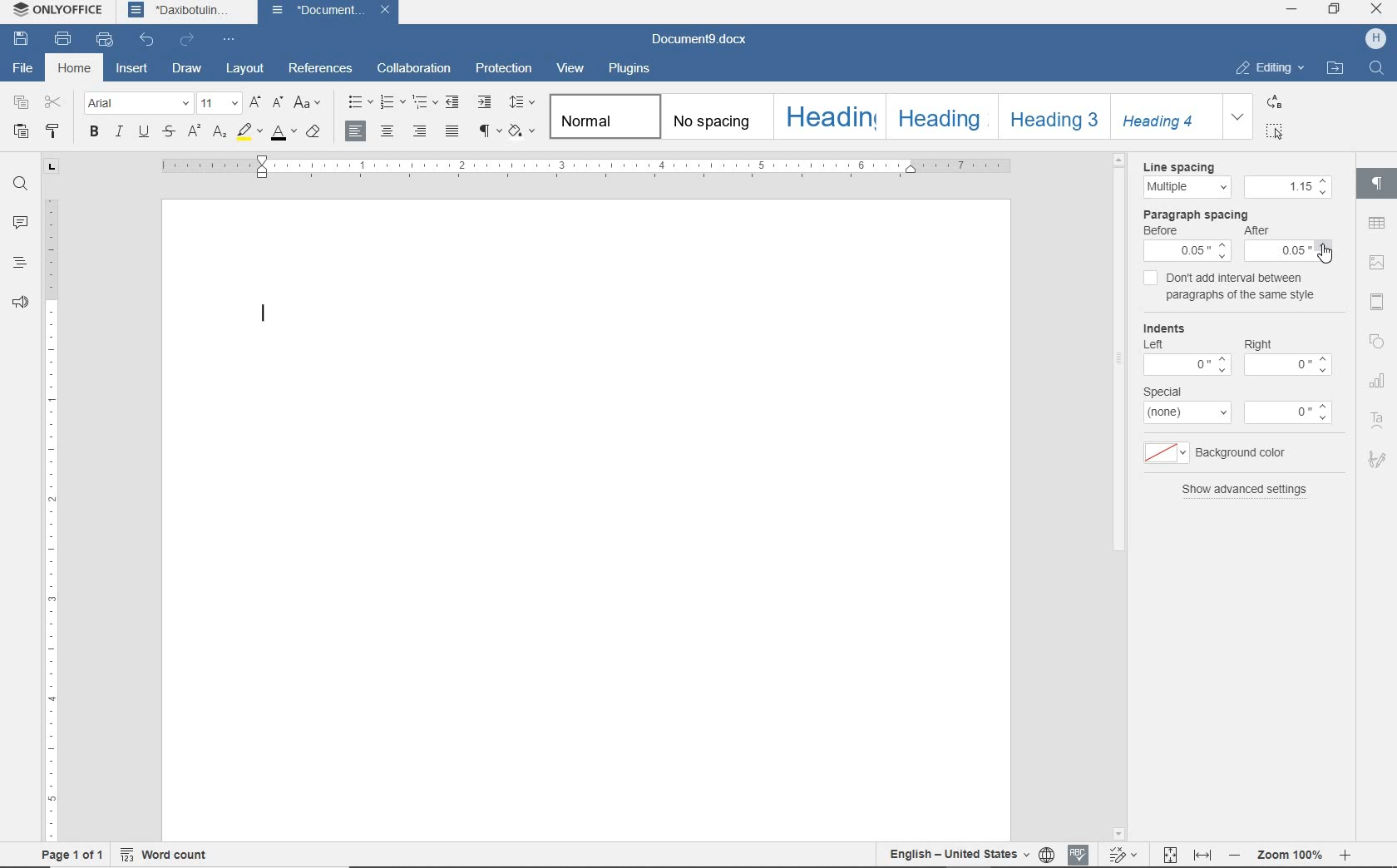 The image size is (1397, 868). Describe the element at coordinates (1161, 230) in the screenshot. I see `before` at that location.